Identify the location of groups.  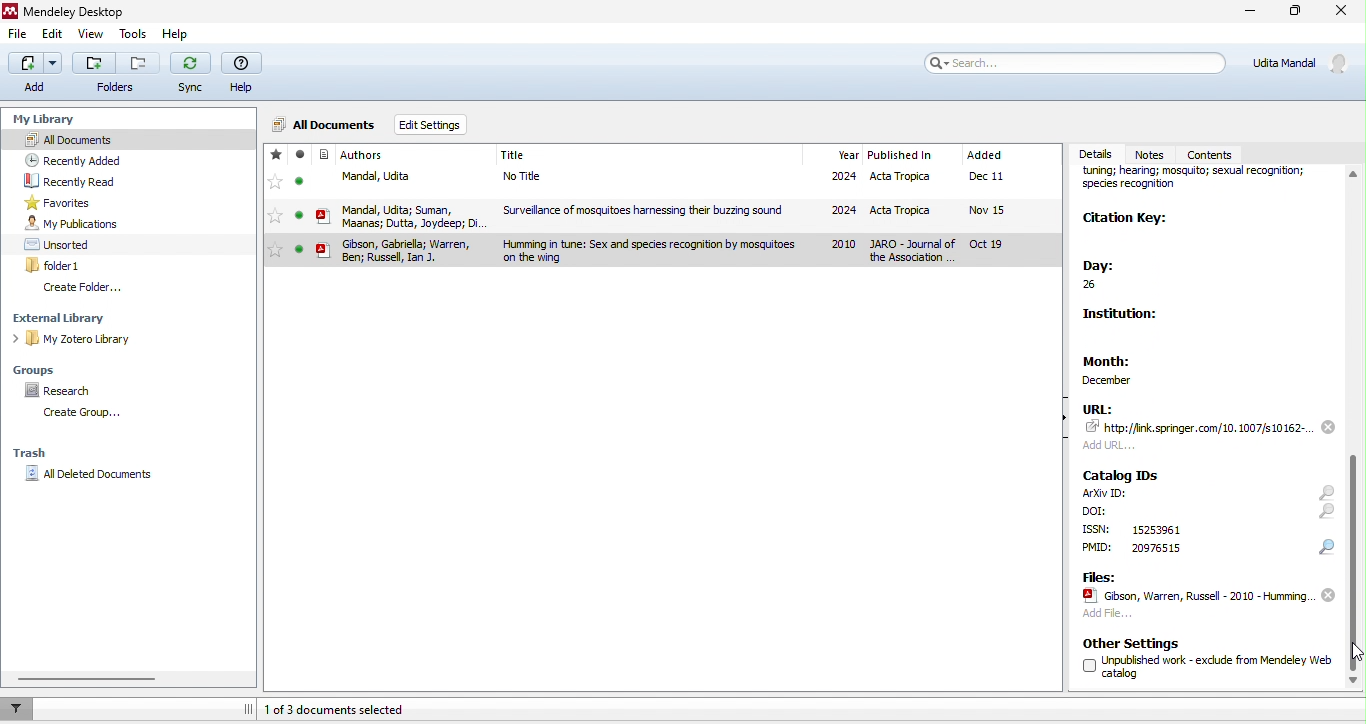
(41, 368).